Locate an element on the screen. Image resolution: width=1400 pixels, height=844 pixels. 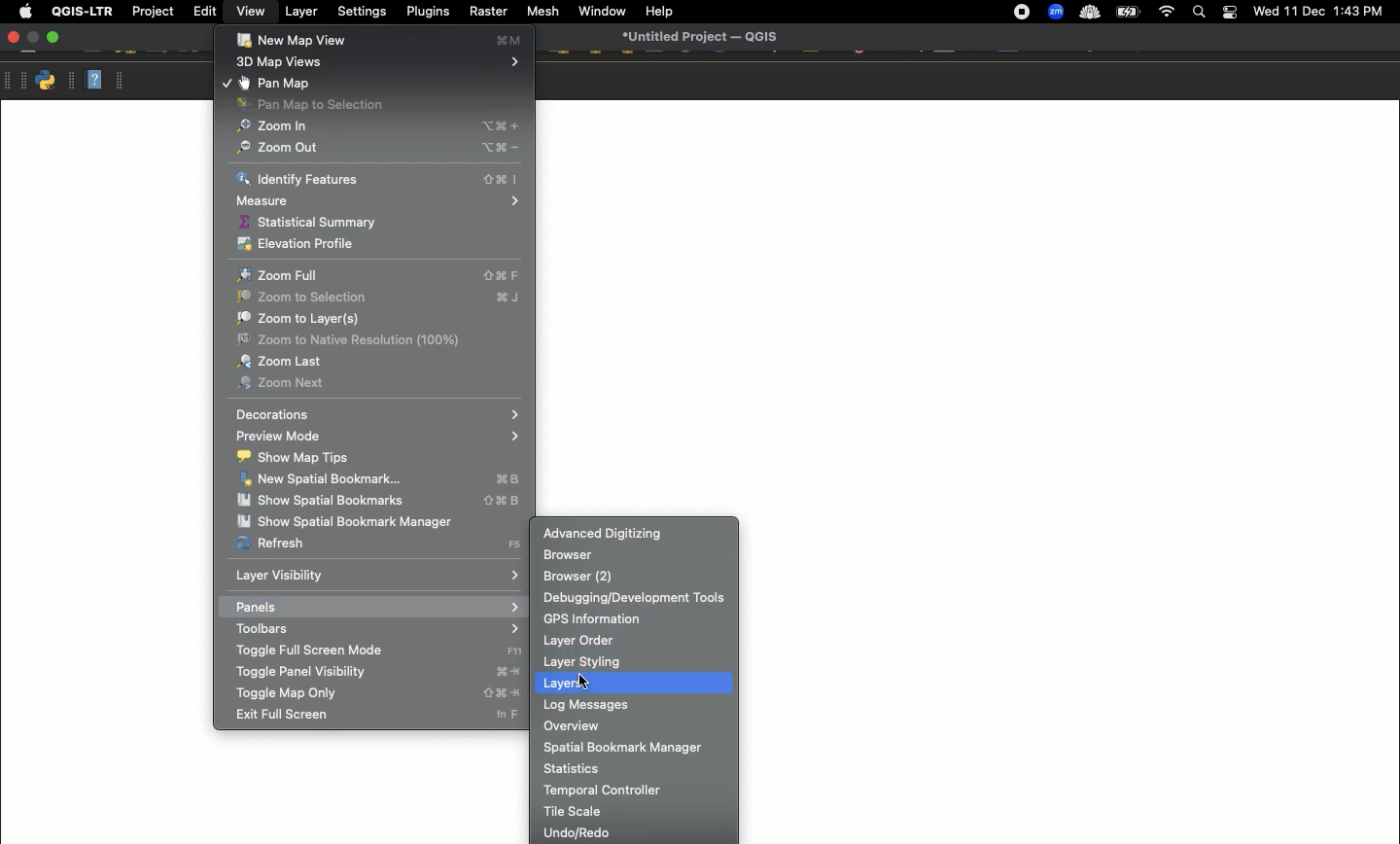
Layer visibility is located at coordinates (377, 577).